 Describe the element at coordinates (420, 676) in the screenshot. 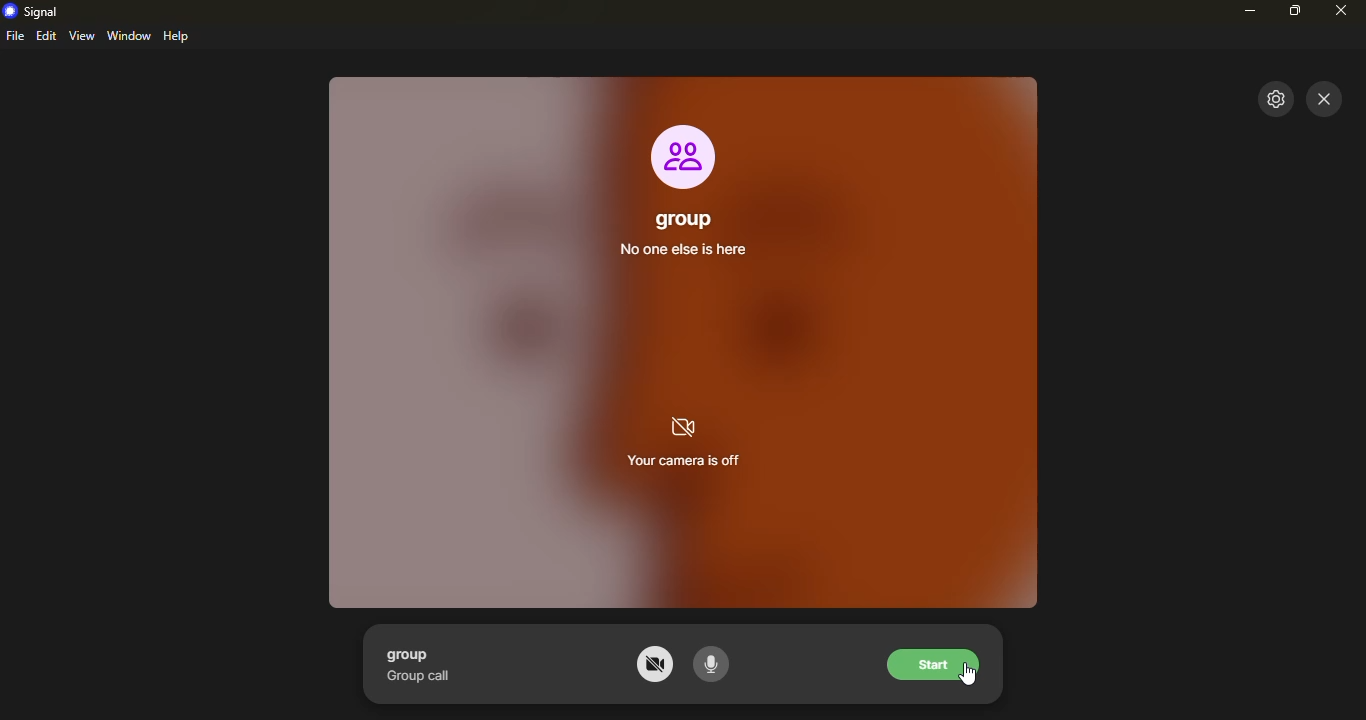

I see `Group call` at that location.